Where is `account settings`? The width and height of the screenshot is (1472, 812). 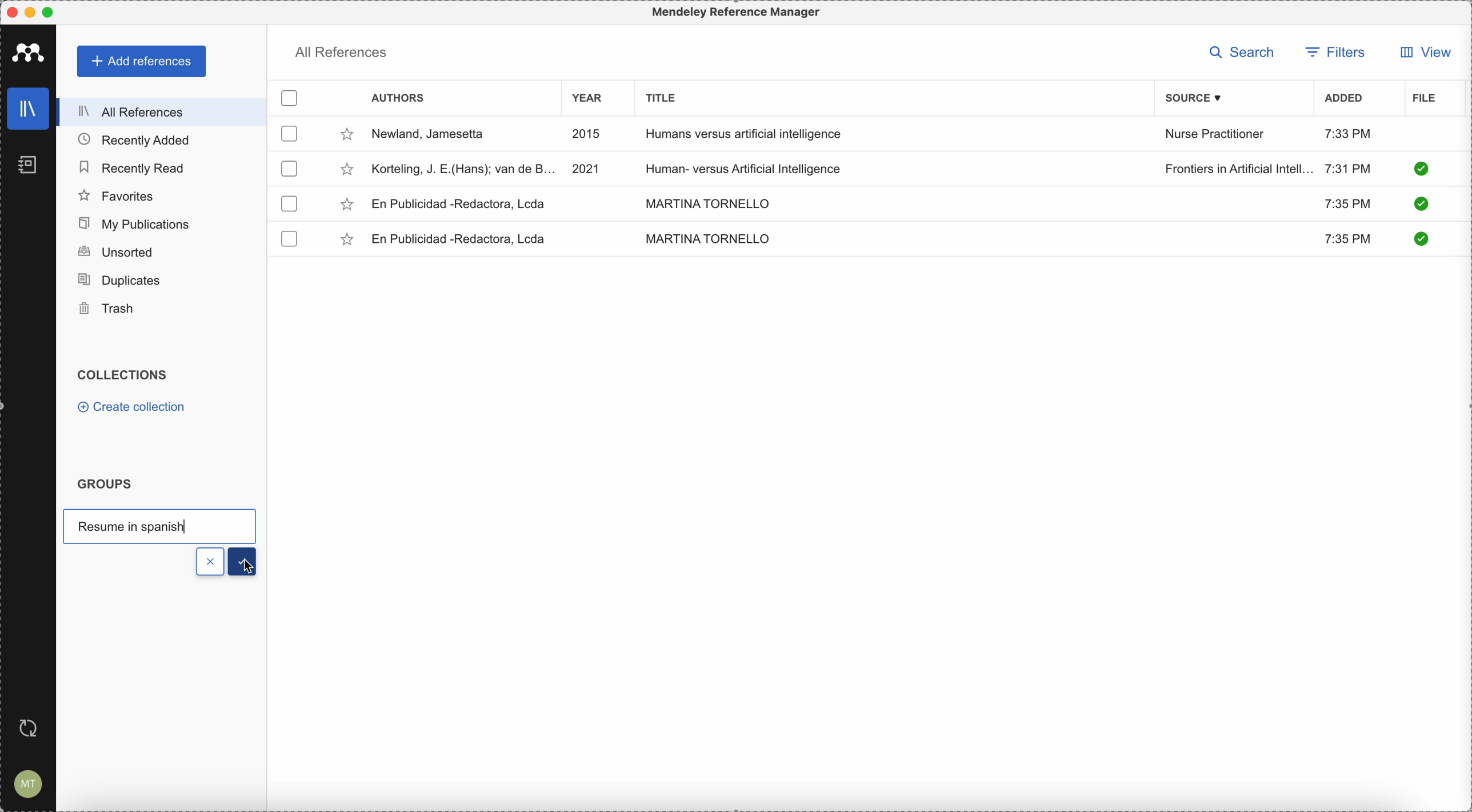
account settings is located at coordinates (26, 785).